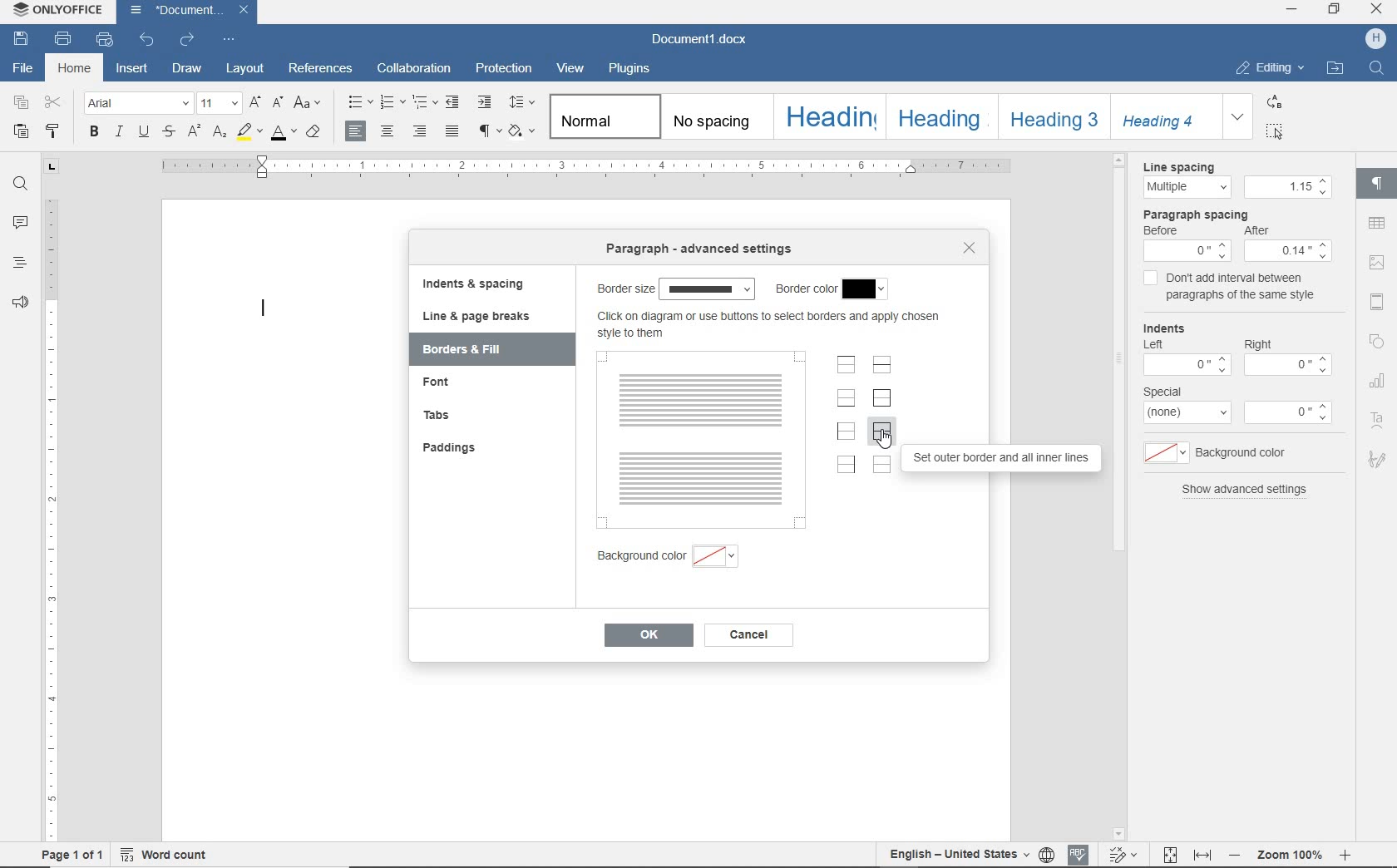 The width and height of the screenshot is (1397, 868). What do you see at coordinates (1336, 71) in the screenshot?
I see `OPEN FILE LOCATION` at bounding box center [1336, 71].